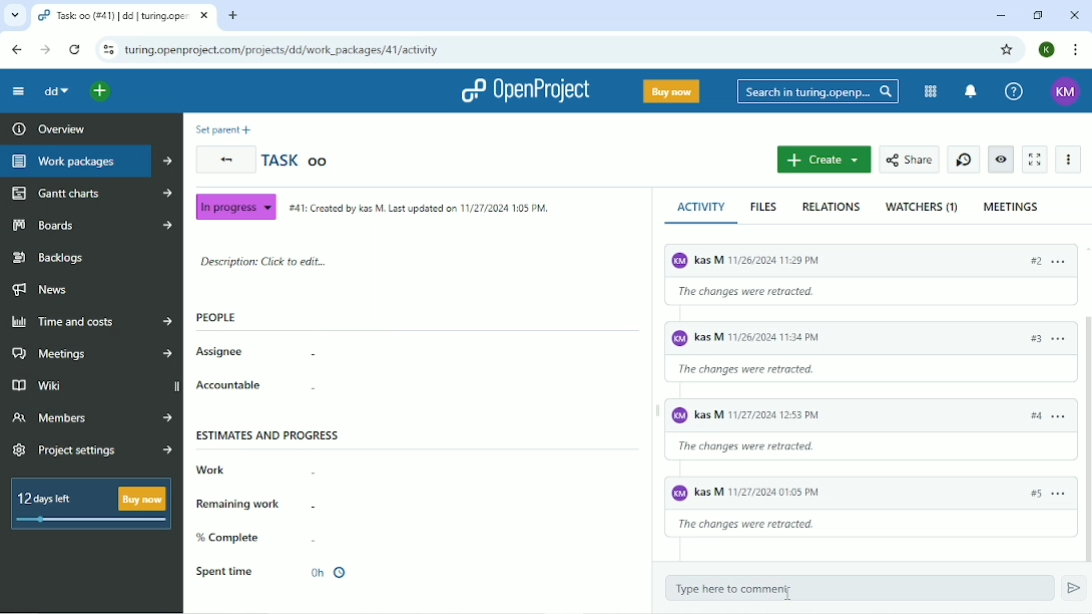  What do you see at coordinates (1031, 500) in the screenshot?
I see `#5` at bounding box center [1031, 500].